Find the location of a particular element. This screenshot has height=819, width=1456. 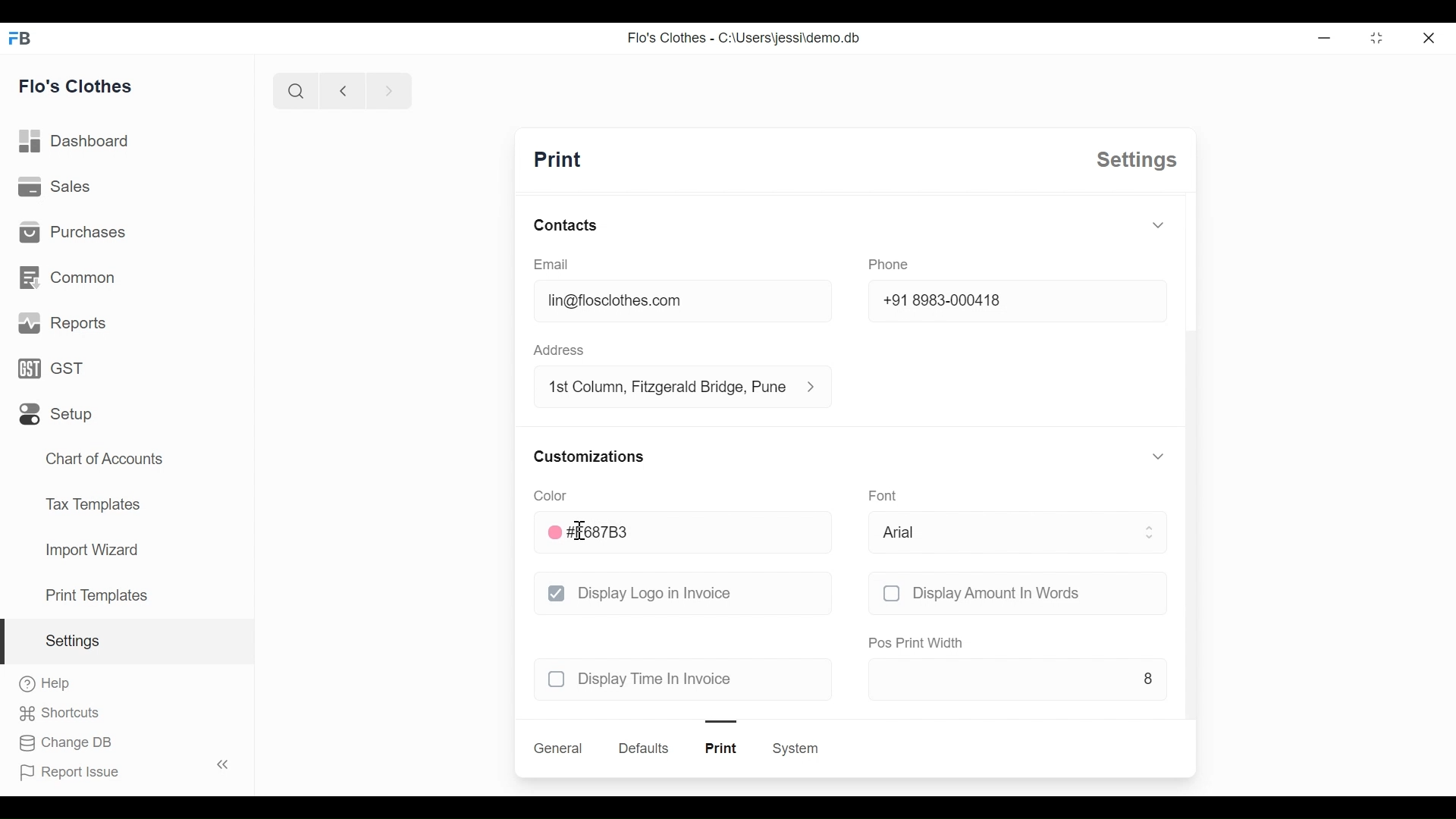

display logo in invoice is located at coordinates (657, 592).